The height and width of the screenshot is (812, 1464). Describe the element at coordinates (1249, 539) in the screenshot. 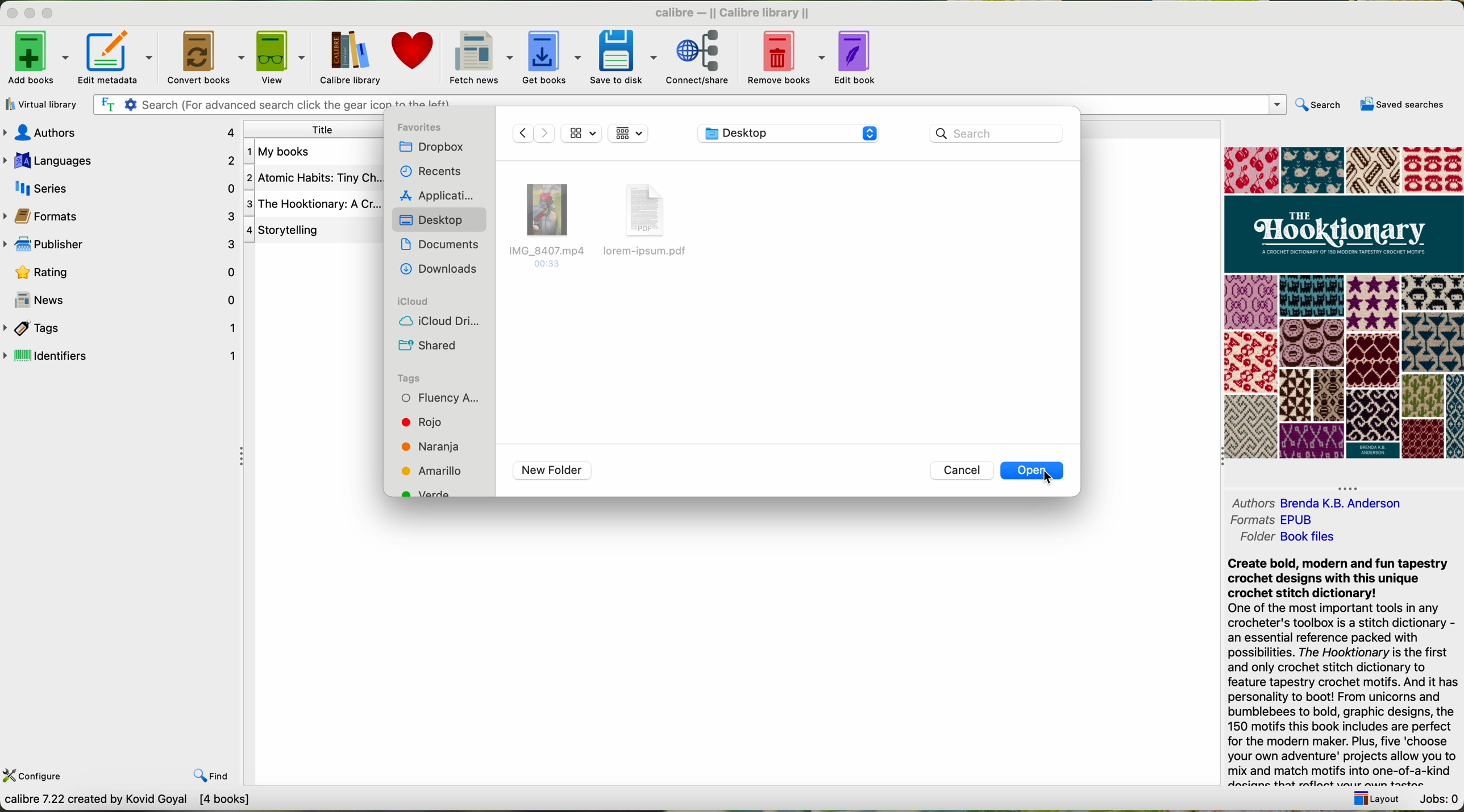

I see `folder` at that location.